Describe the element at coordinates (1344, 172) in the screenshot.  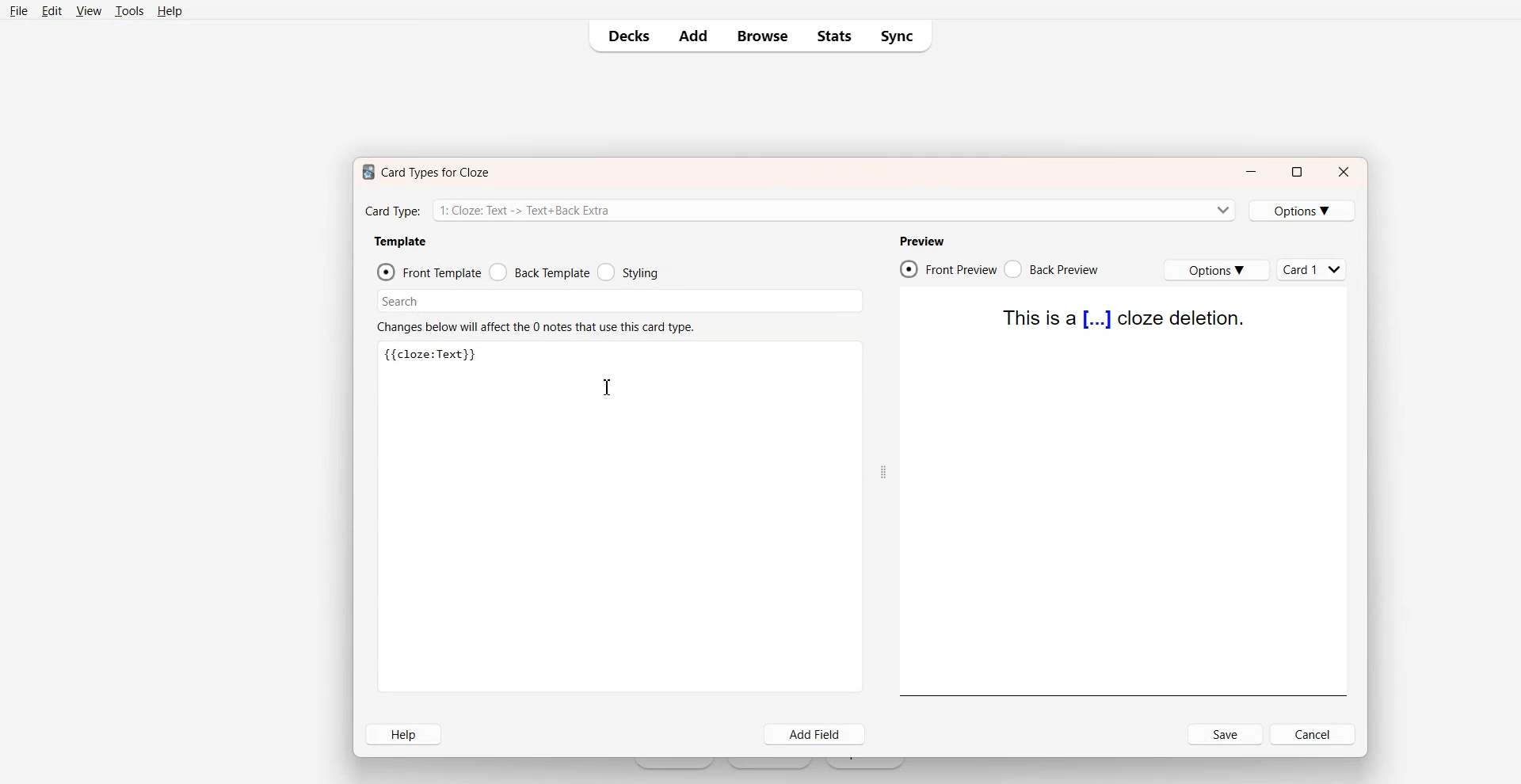
I see `Close` at that location.